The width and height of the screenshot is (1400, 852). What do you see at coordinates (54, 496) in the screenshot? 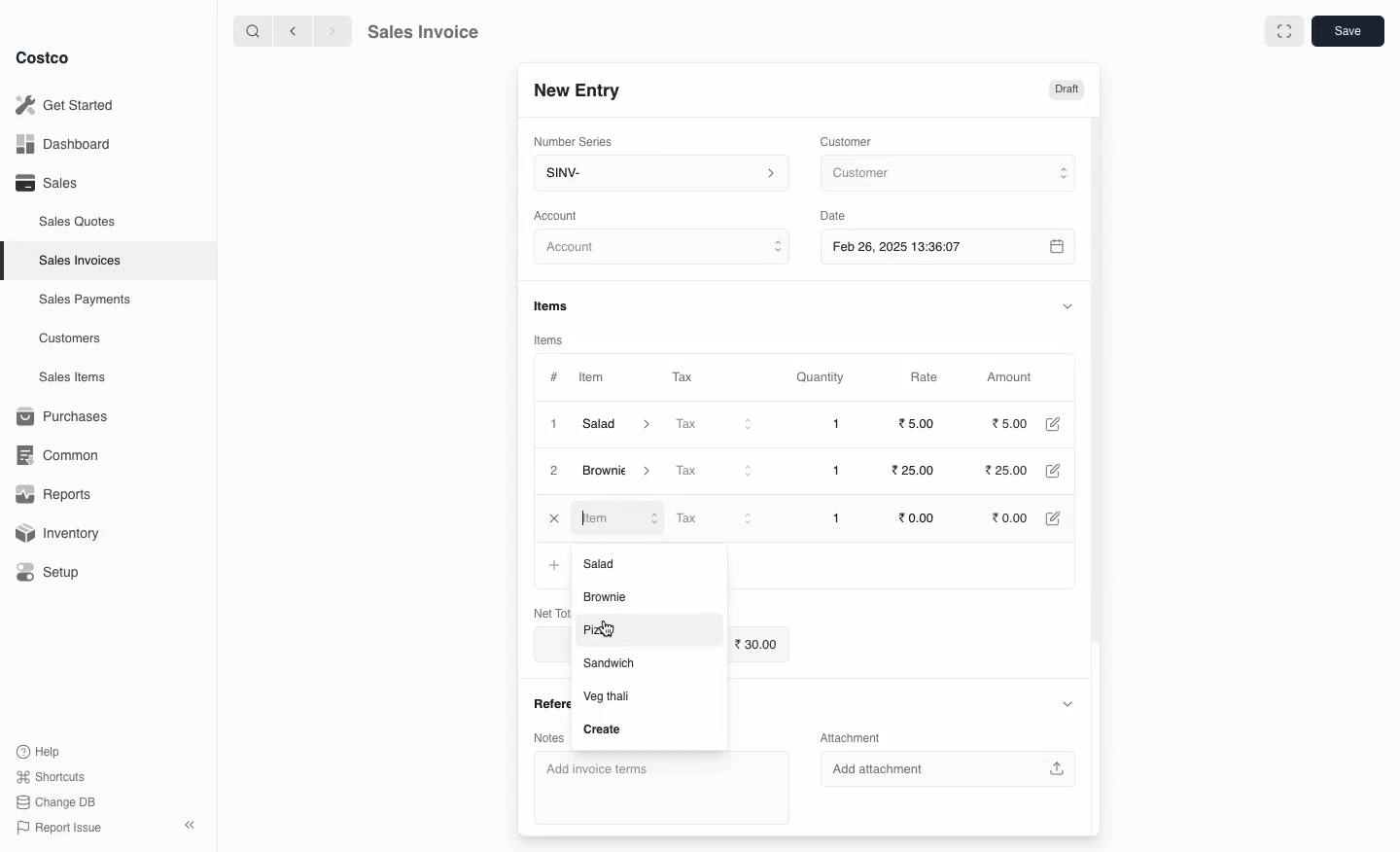
I see `Reports` at bounding box center [54, 496].